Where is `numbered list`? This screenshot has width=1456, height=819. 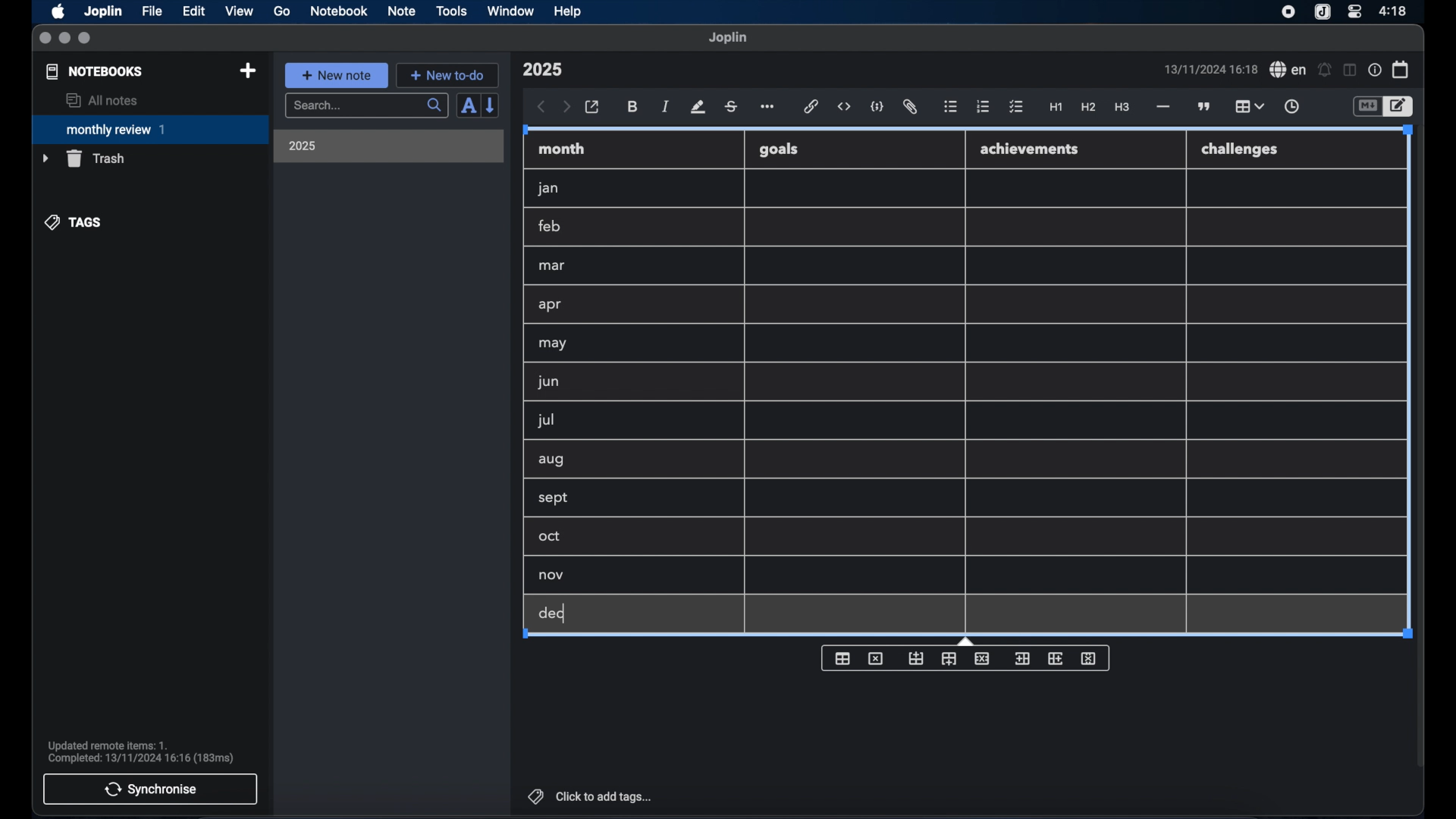 numbered list is located at coordinates (983, 106).